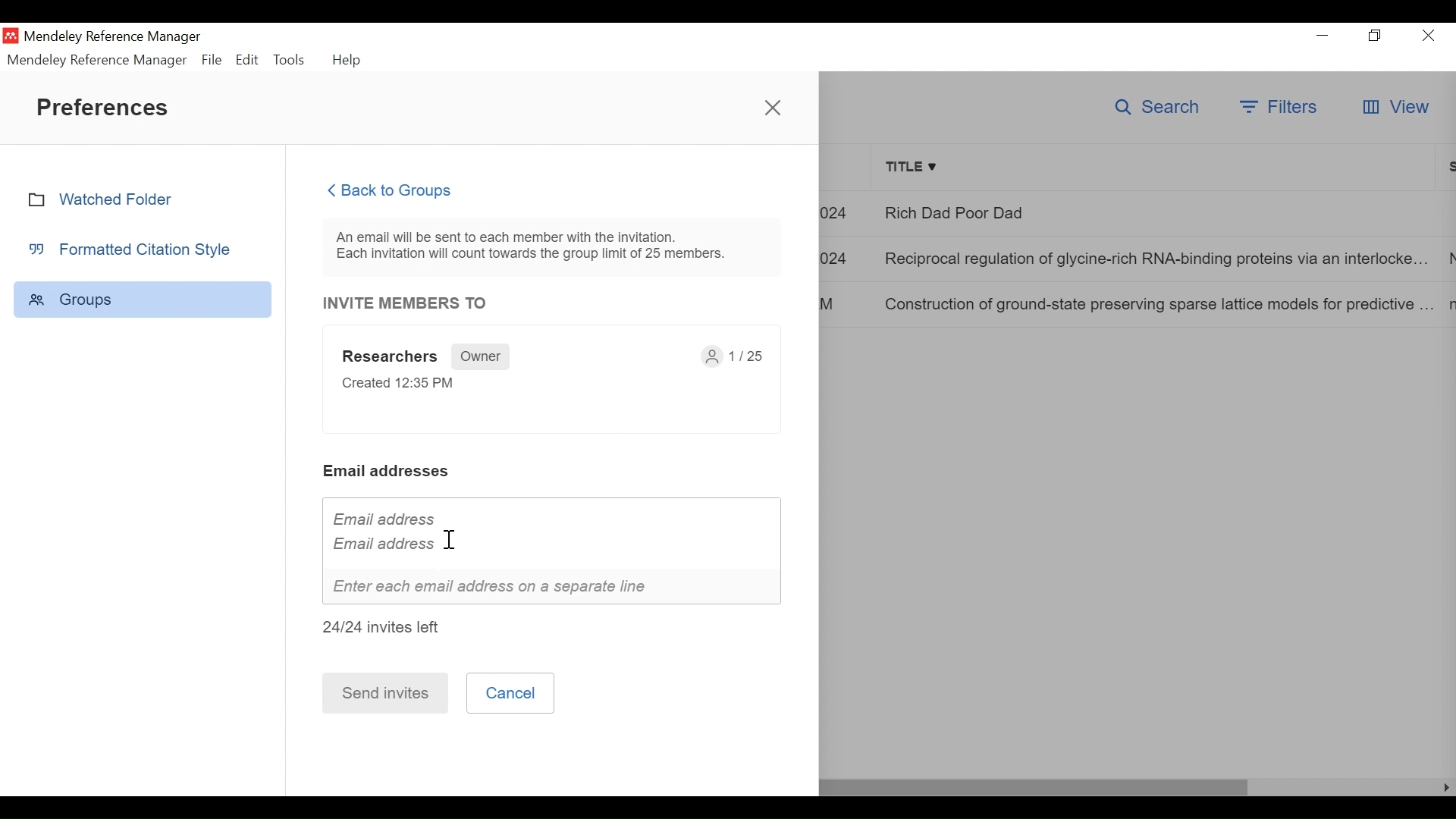  Describe the element at coordinates (1158, 212) in the screenshot. I see `Rich Dad Poor Dad` at that location.